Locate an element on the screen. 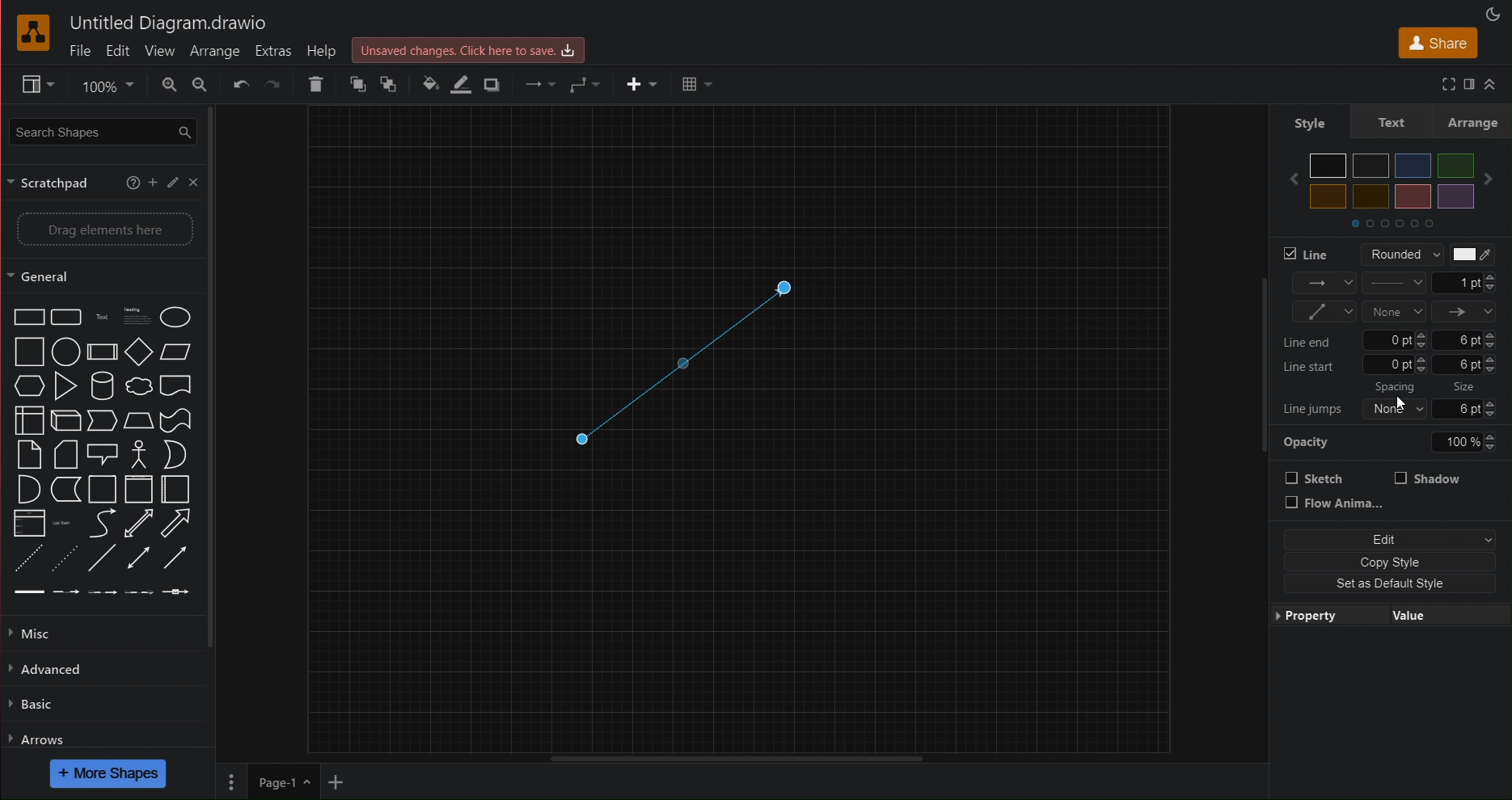  page 1 is located at coordinates (282, 781).